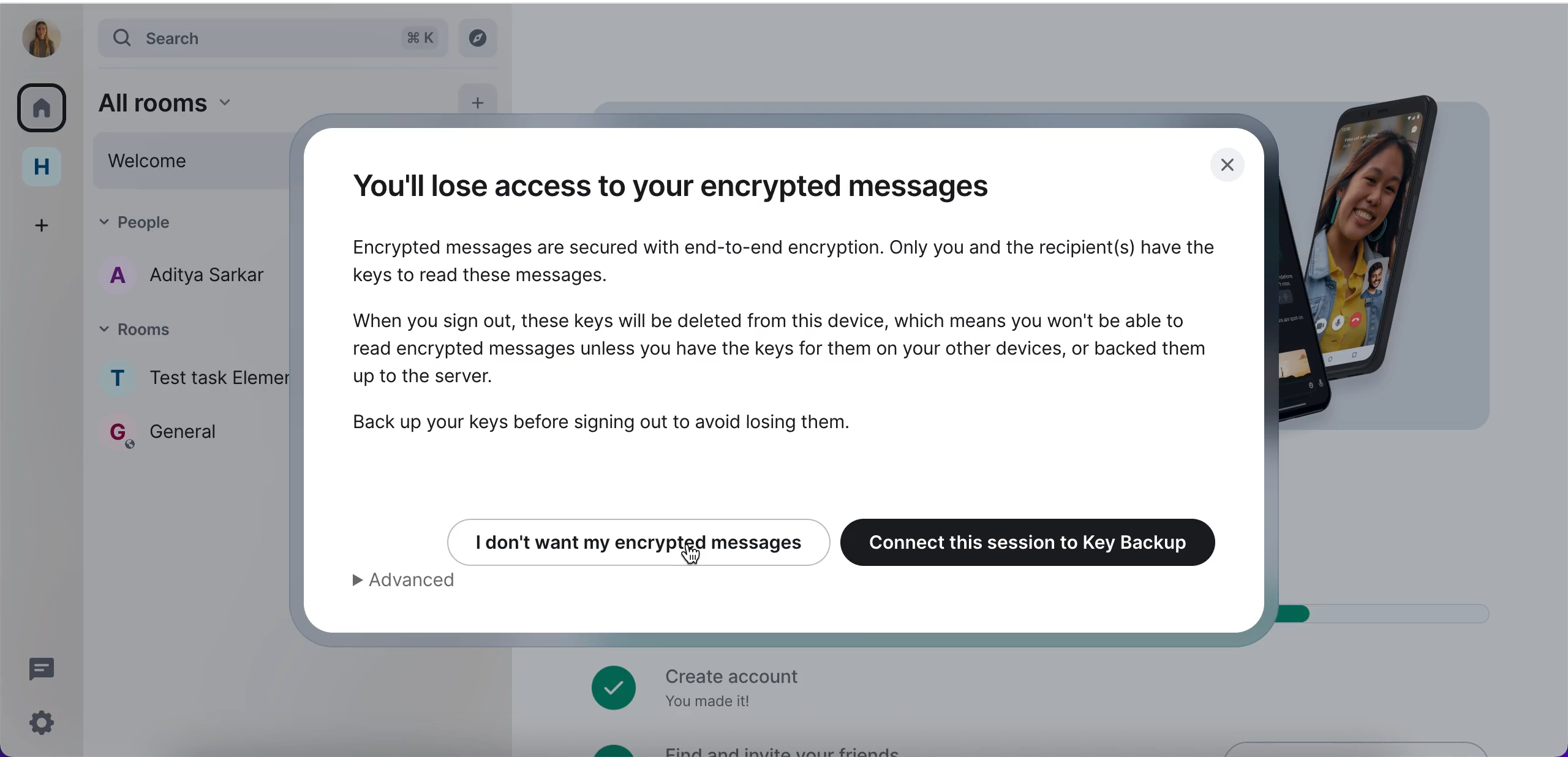 The width and height of the screenshot is (1568, 757). What do you see at coordinates (699, 185) in the screenshot?
I see `you'll lose access to your encrypted messages` at bounding box center [699, 185].